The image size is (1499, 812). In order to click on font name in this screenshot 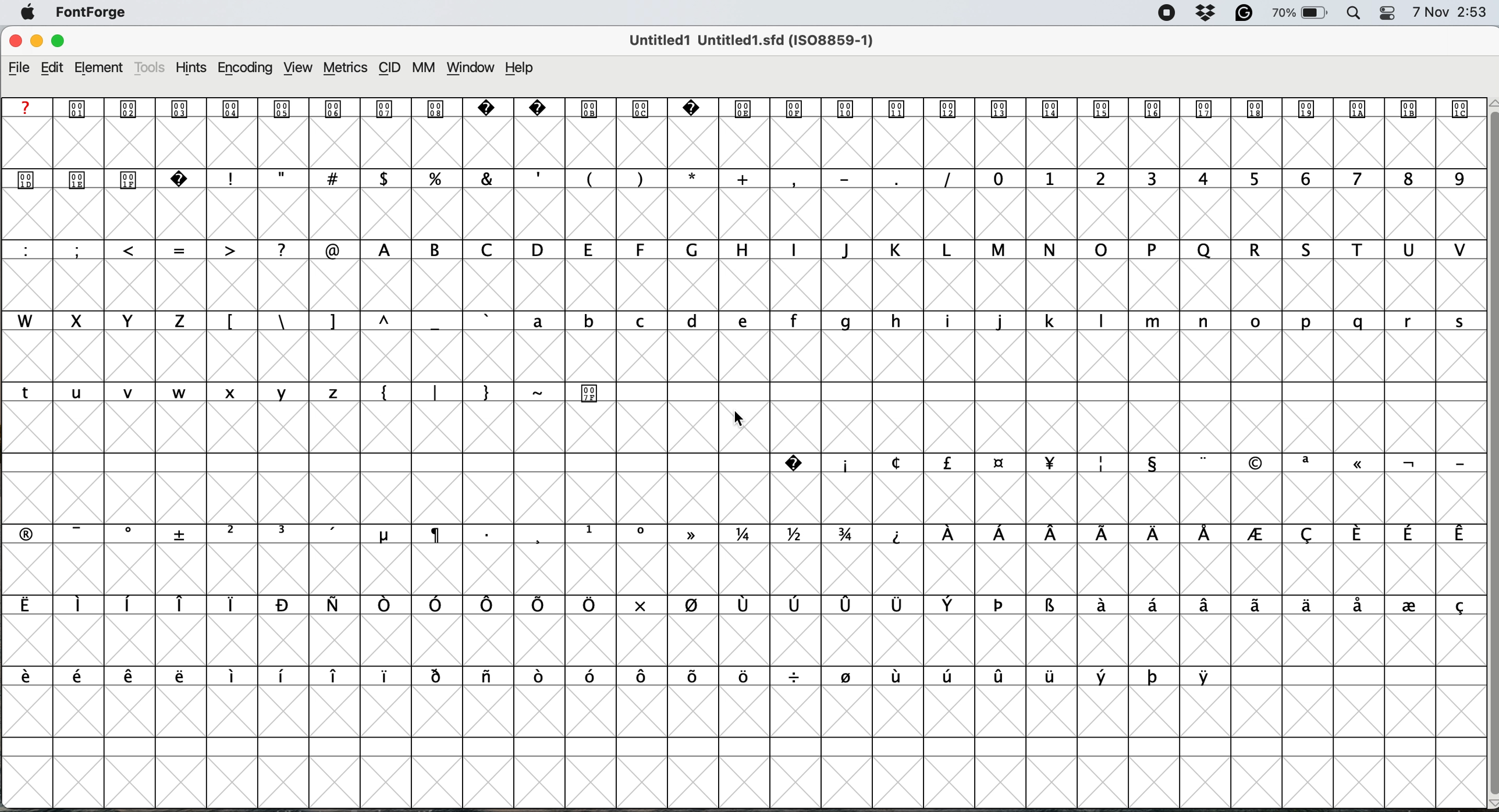, I will do `click(756, 40)`.